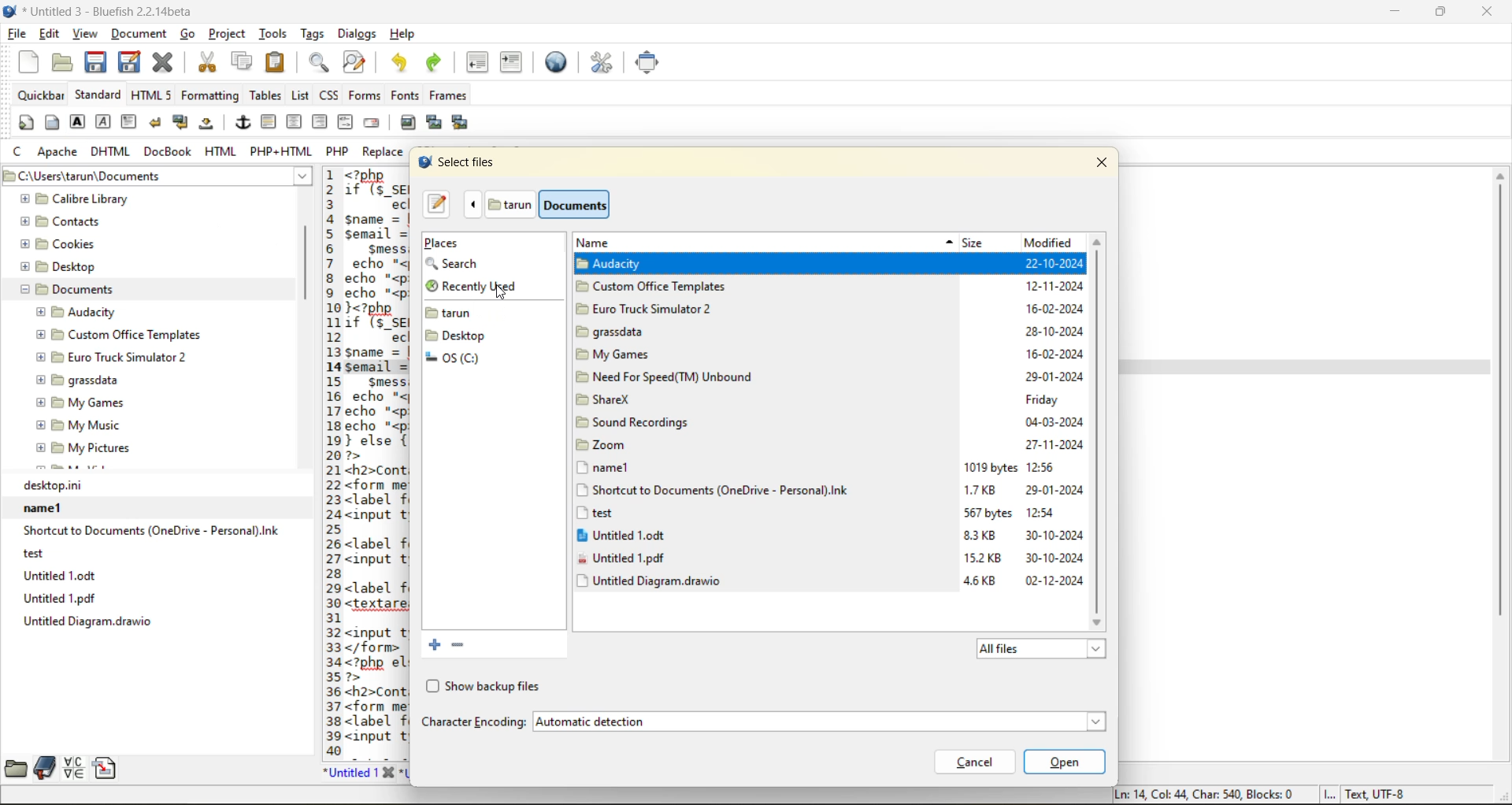 The width and height of the screenshot is (1512, 805). What do you see at coordinates (442, 244) in the screenshot?
I see `places` at bounding box center [442, 244].